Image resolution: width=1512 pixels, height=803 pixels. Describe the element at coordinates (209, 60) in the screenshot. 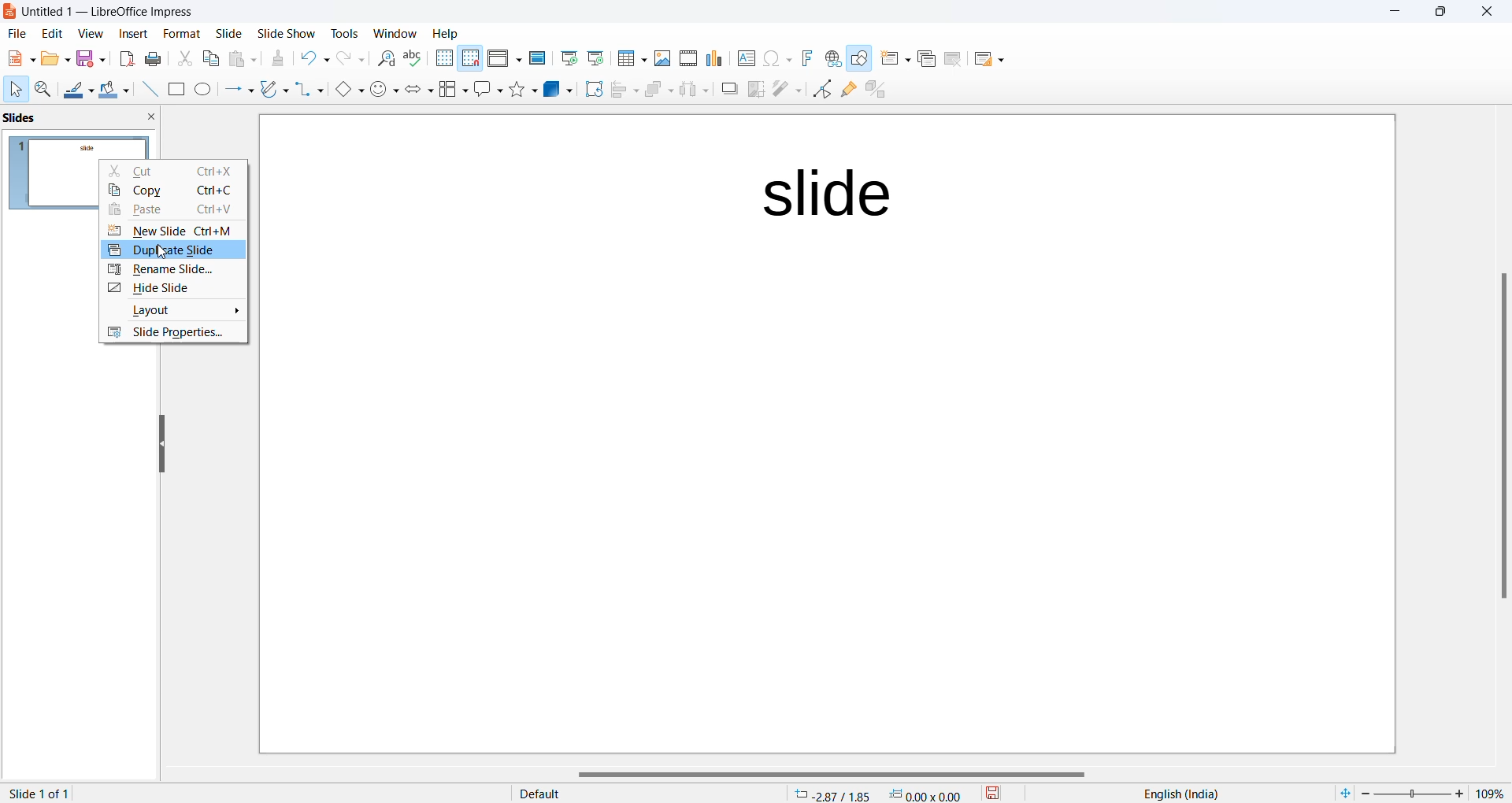

I see `Copy` at that location.